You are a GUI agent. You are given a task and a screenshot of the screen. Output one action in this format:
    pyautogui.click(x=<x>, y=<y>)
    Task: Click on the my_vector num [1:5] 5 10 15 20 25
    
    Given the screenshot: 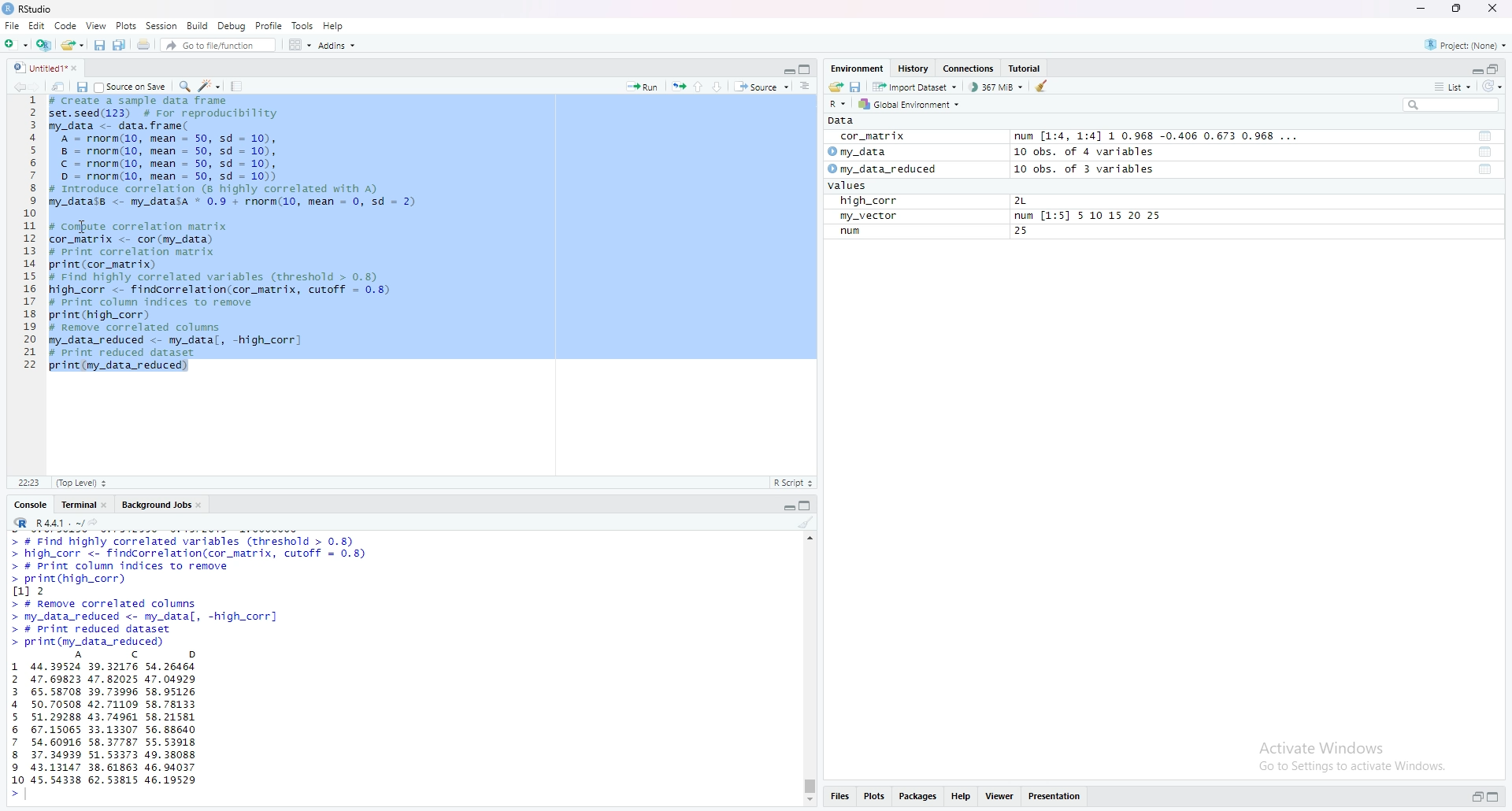 What is the action you would take?
    pyautogui.click(x=1002, y=217)
    